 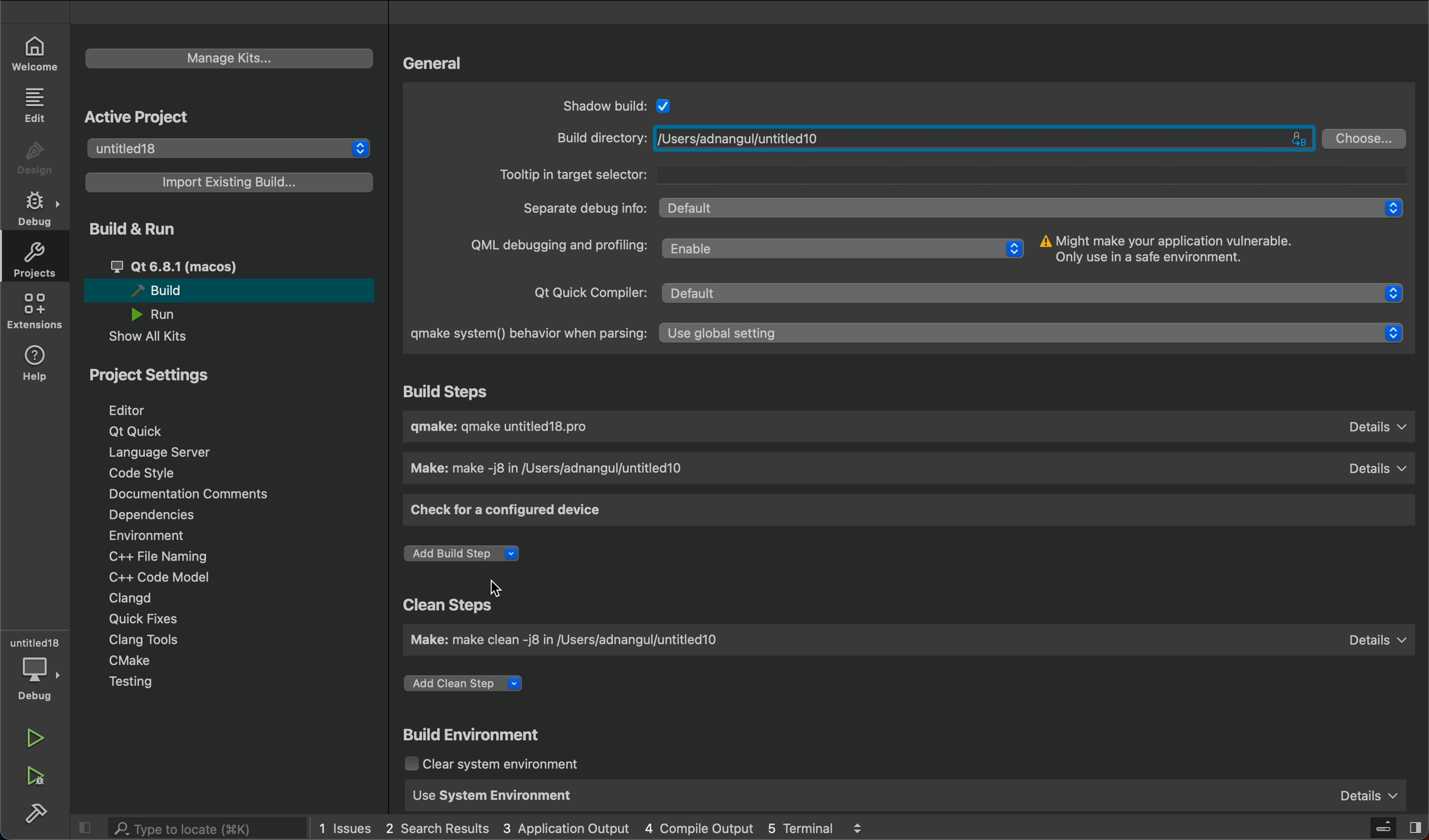 I want to click on Shadow build:, so click(x=604, y=105).